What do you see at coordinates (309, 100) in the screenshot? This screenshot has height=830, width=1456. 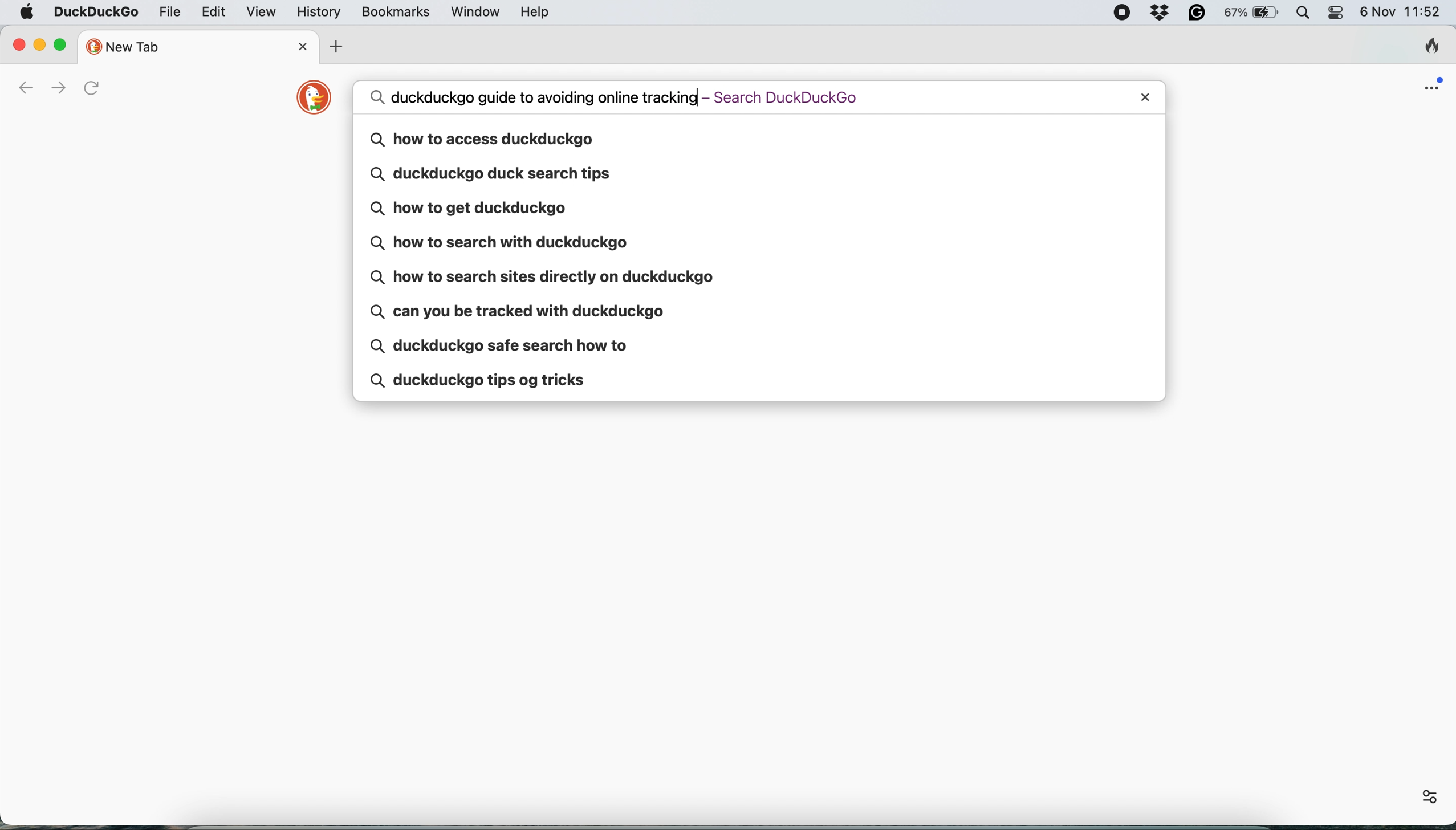 I see `duckduckgo logo` at bounding box center [309, 100].